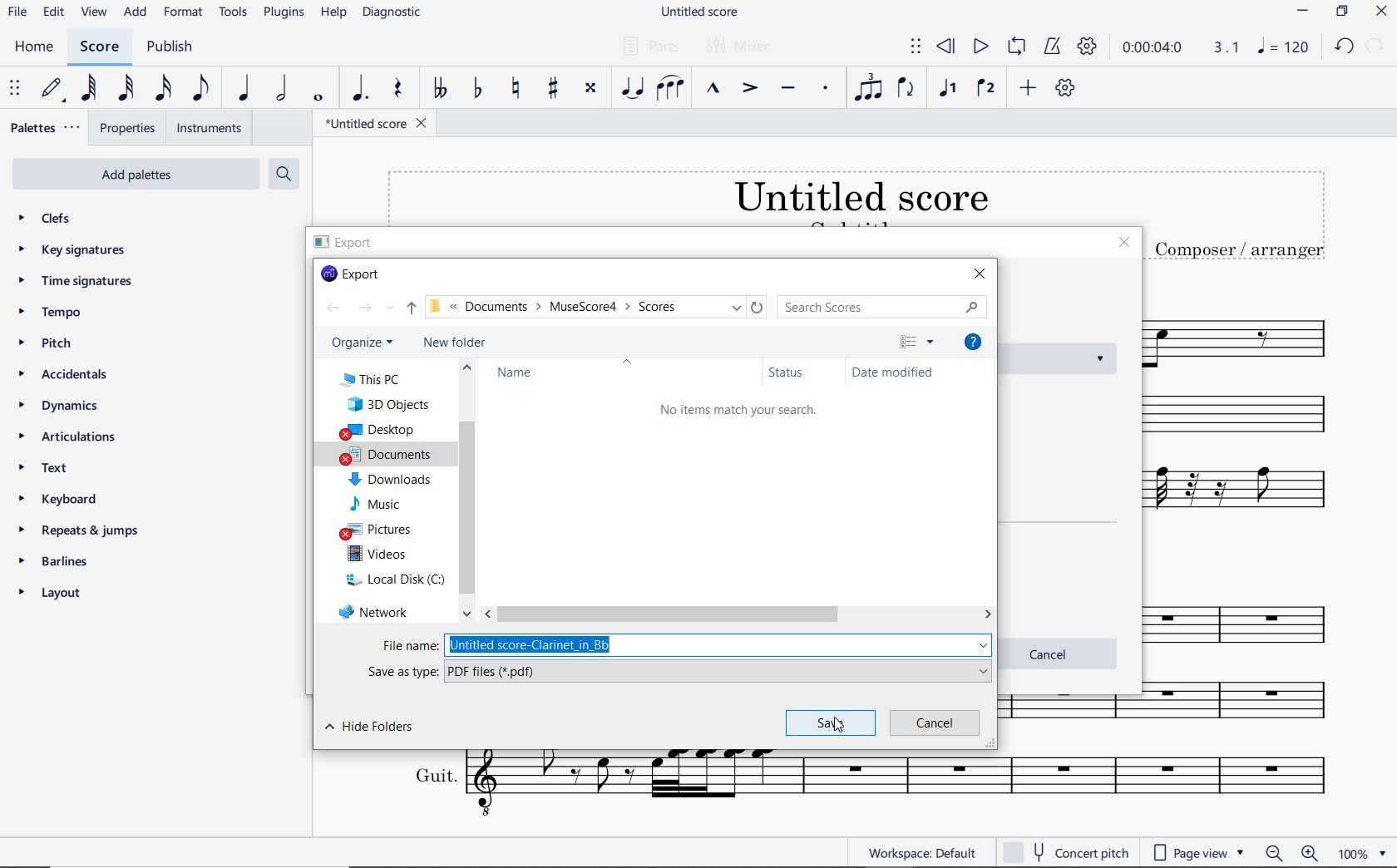  What do you see at coordinates (903, 852) in the screenshot?
I see `WORKSPACE: DEFAULT` at bounding box center [903, 852].